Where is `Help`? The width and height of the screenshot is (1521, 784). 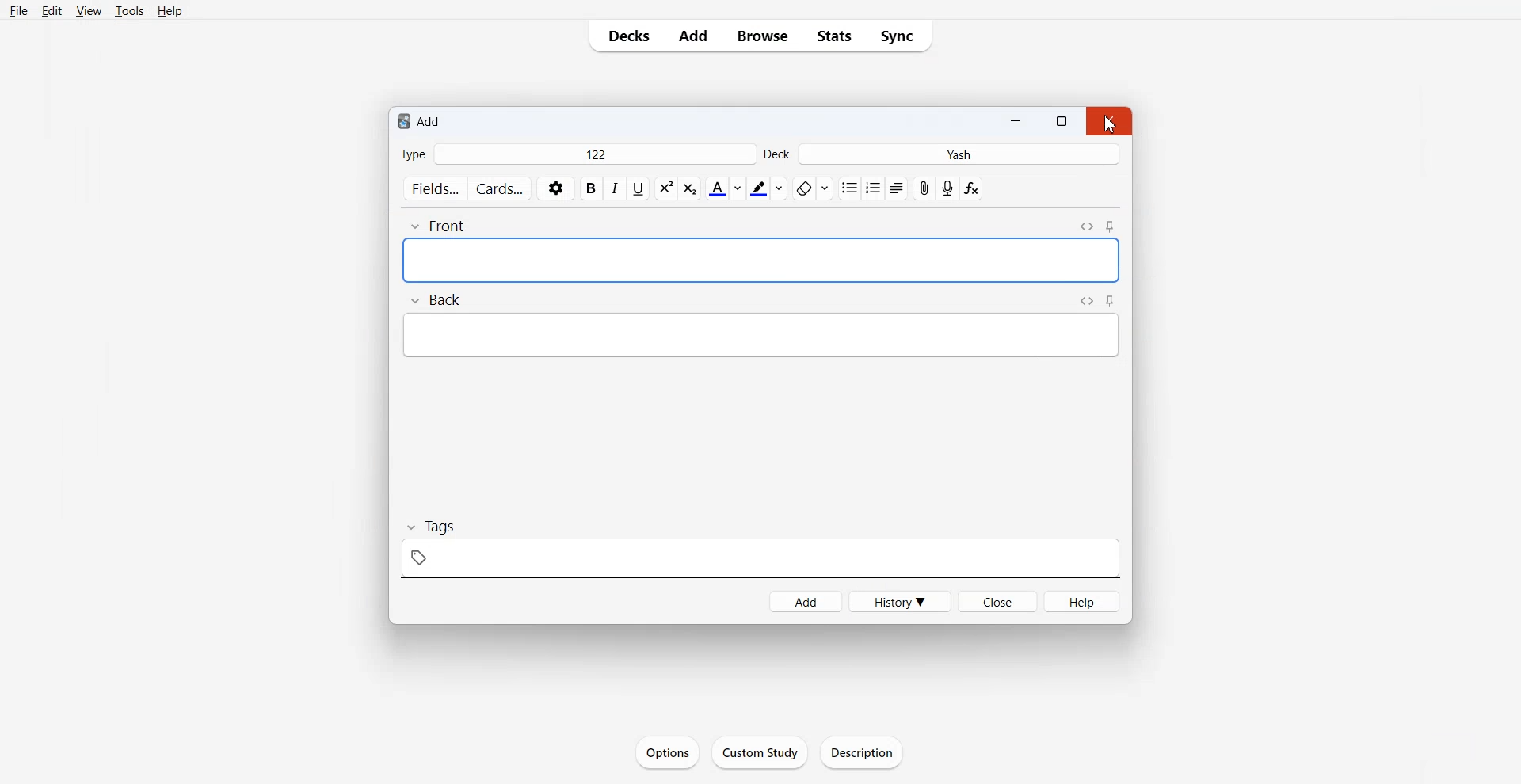
Help is located at coordinates (1083, 601).